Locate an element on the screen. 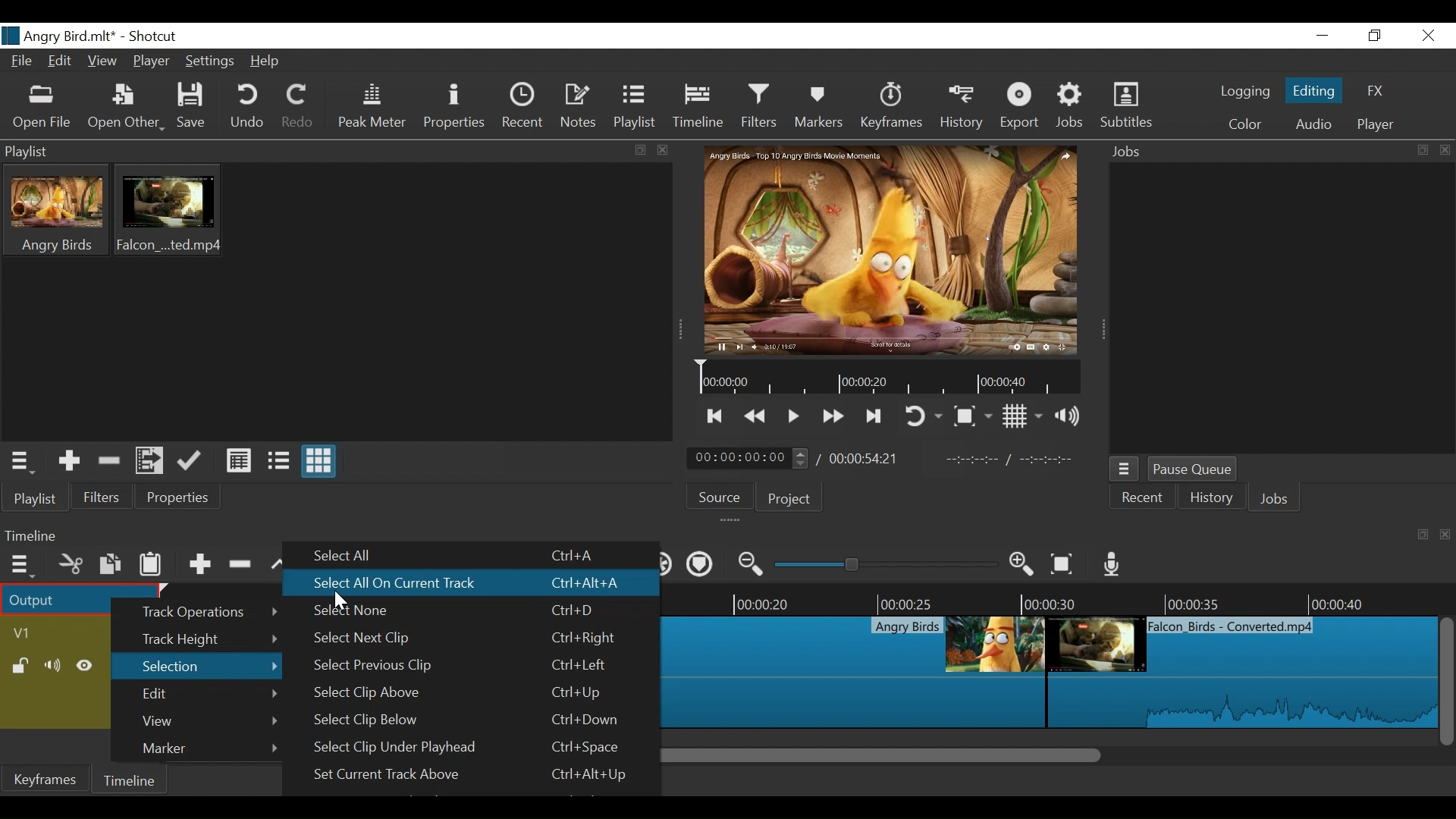  (un)lock track is located at coordinates (19, 666).